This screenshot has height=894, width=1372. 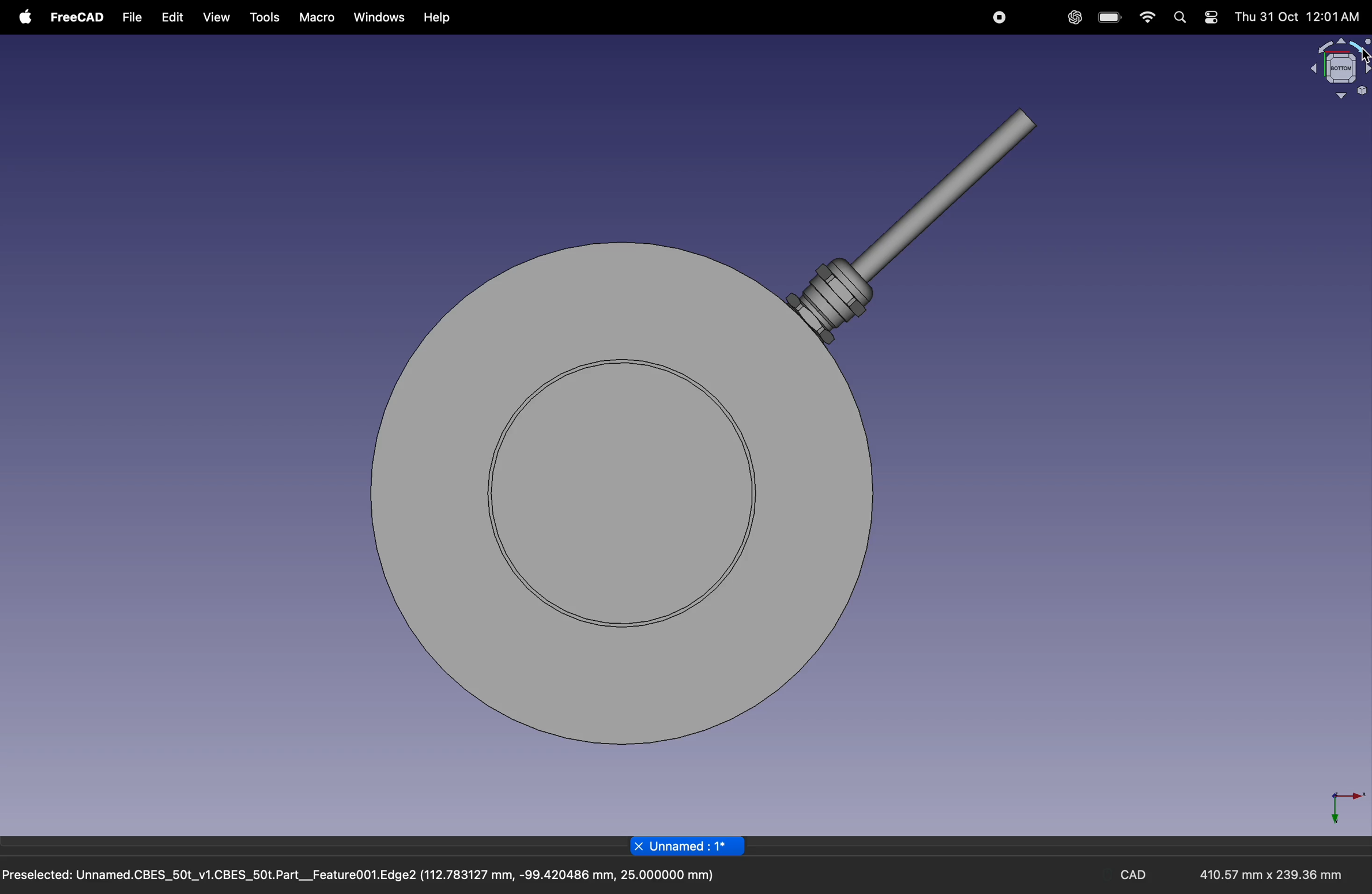 What do you see at coordinates (1181, 19) in the screenshot?
I see `search` at bounding box center [1181, 19].